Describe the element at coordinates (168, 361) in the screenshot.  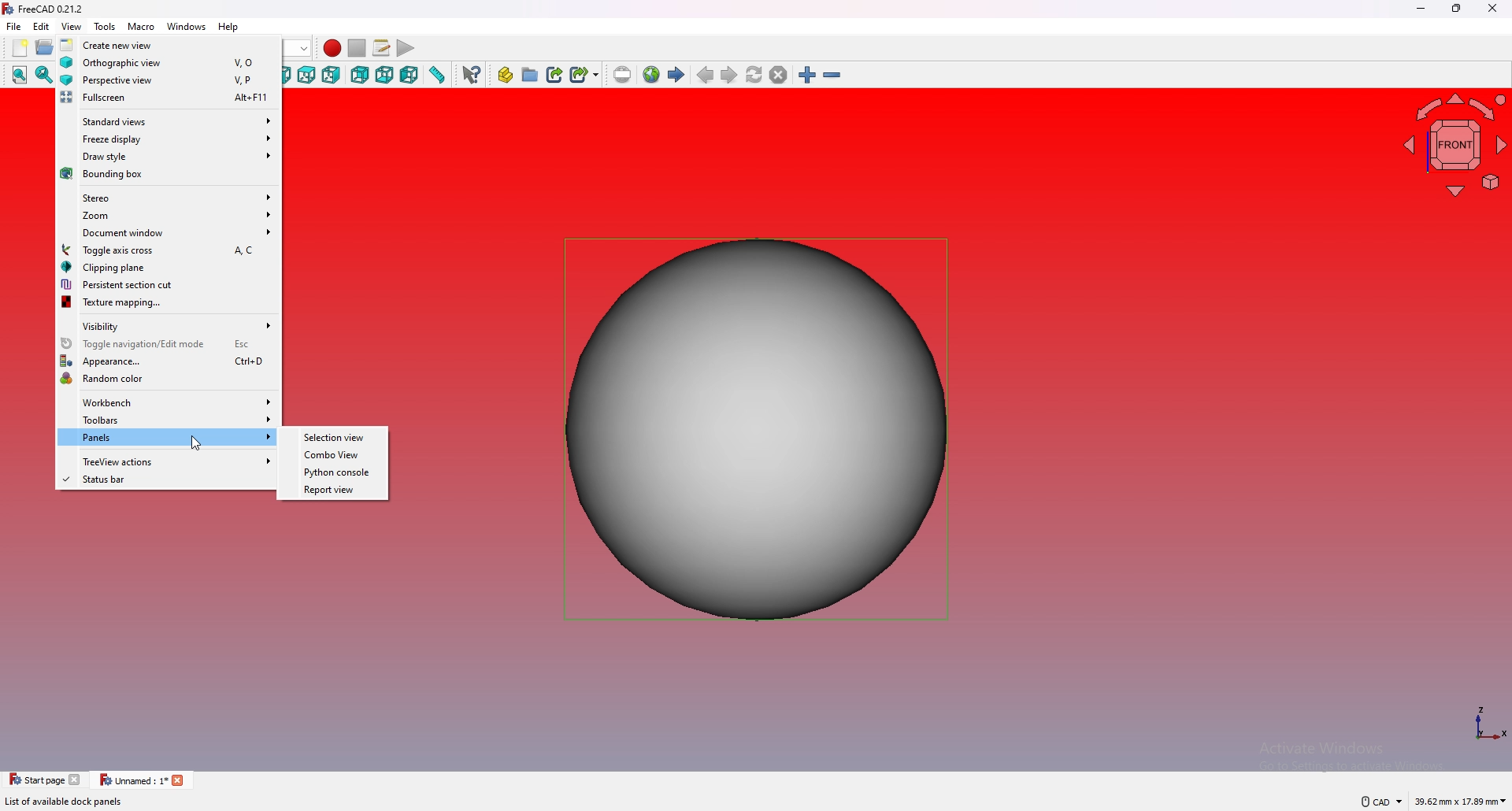
I see `appearance` at that location.